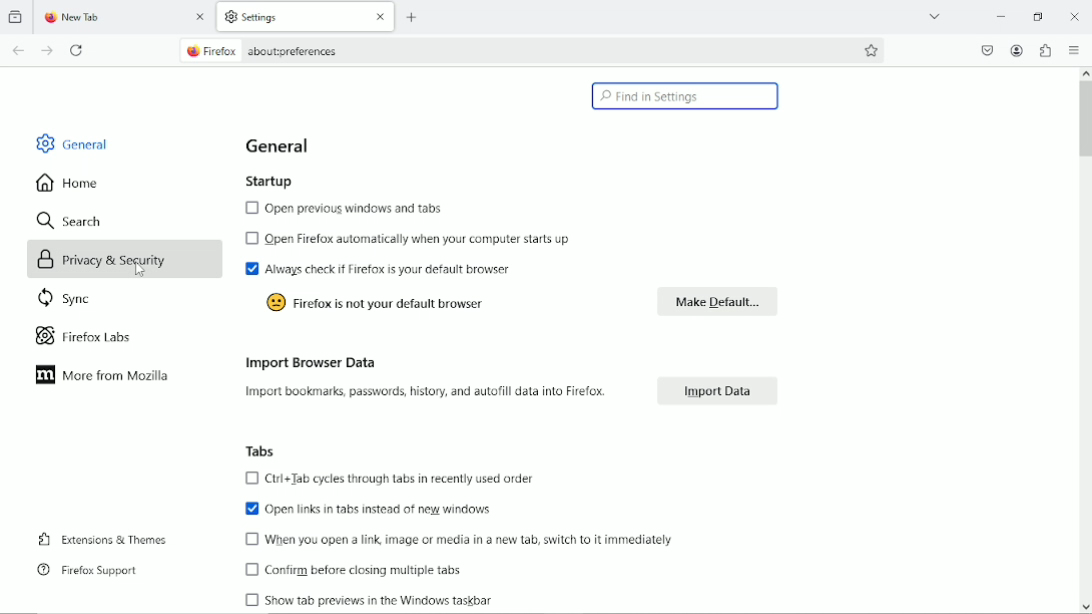 The width and height of the screenshot is (1092, 614). Describe the element at coordinates (437, 241) in the screenshot. I see `open firefox automatically when your computer starts up` at that location.